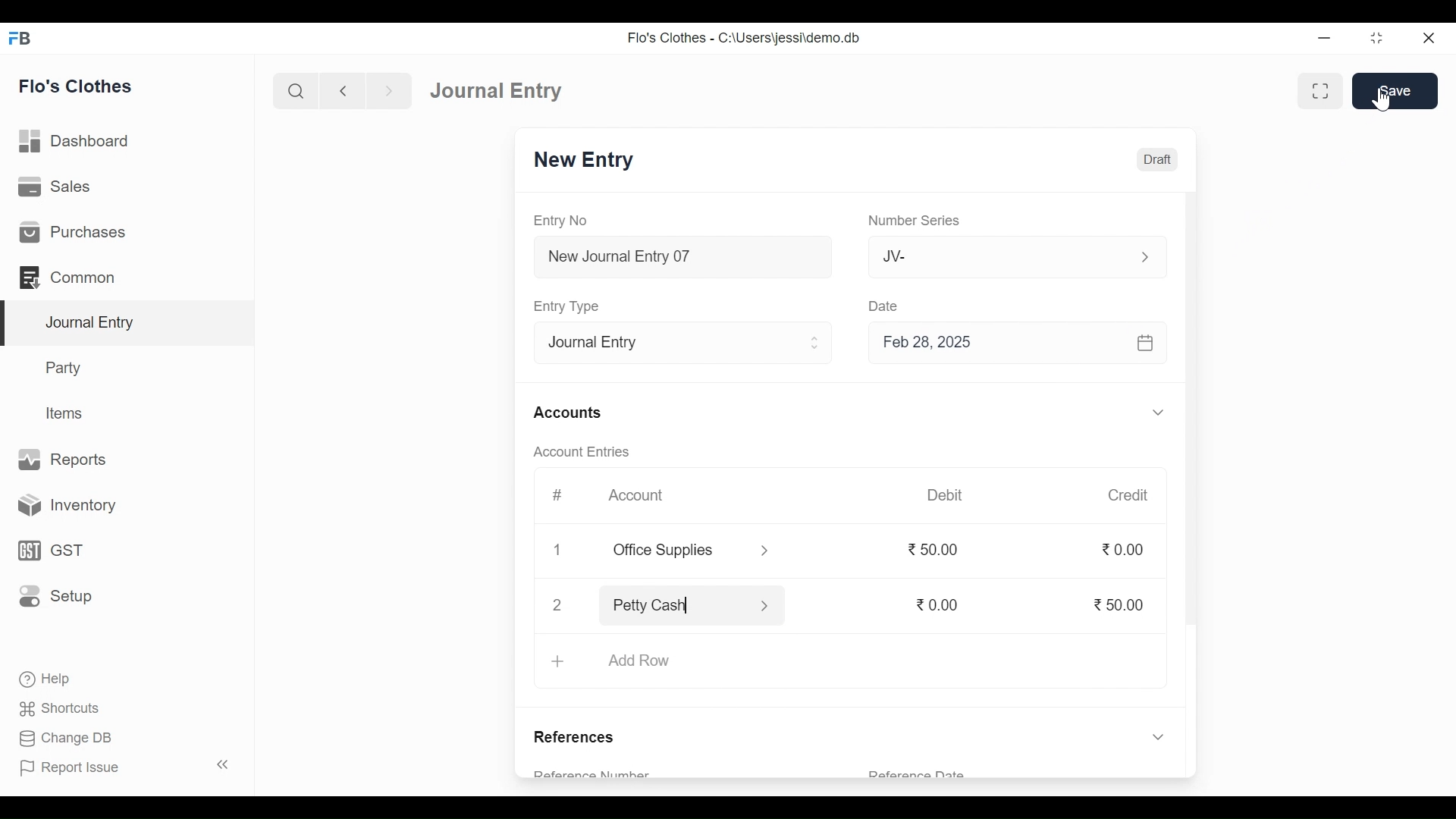 The height and width of the screenshot is (819, 1456). What do you see at coordinates (75, 140) in the screenshot?
I see `Dashboard` at bounding box center [75, 140].